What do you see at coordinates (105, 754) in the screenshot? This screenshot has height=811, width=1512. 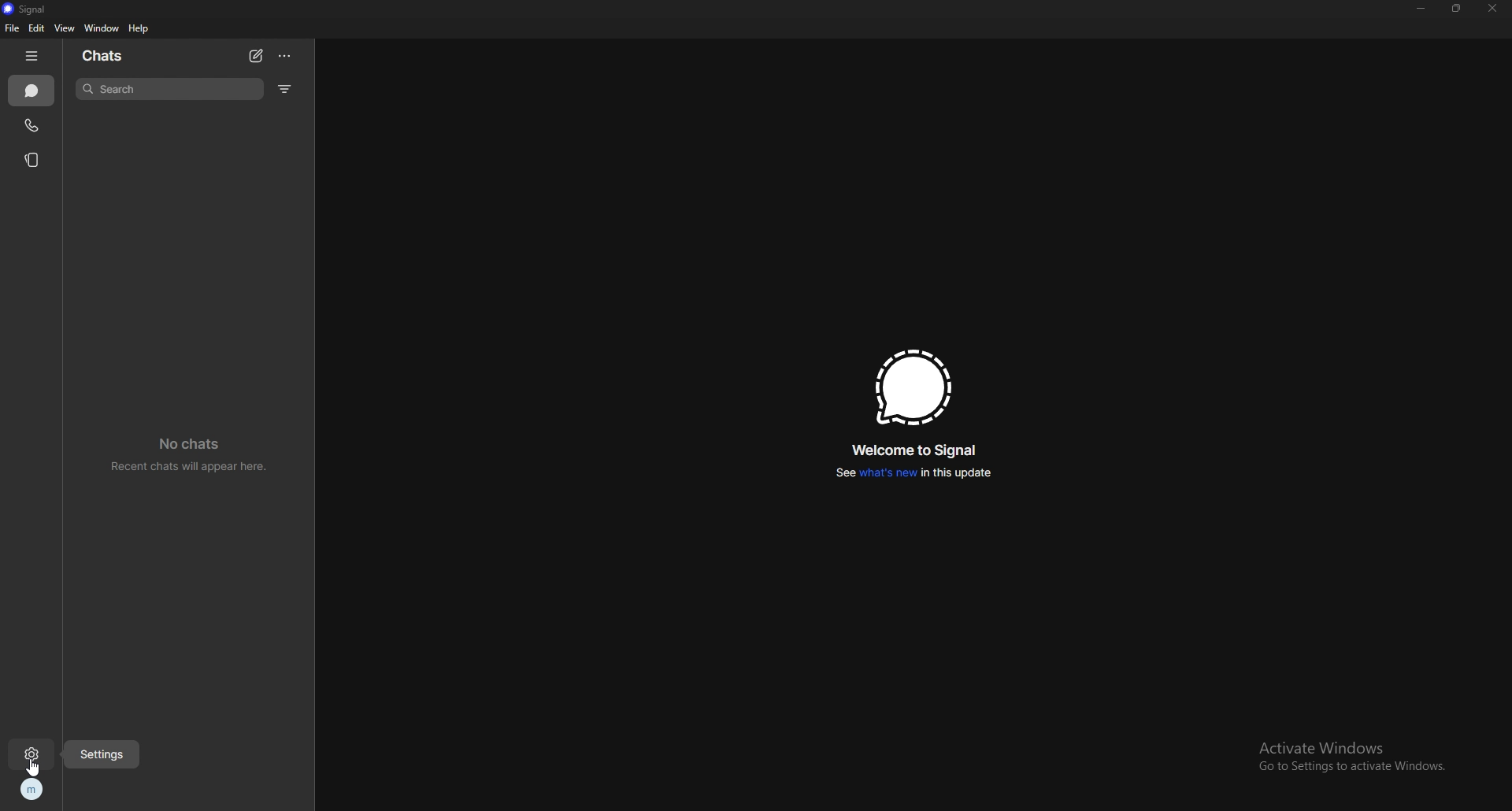 I see `settings` at bounding box center [105, 754].